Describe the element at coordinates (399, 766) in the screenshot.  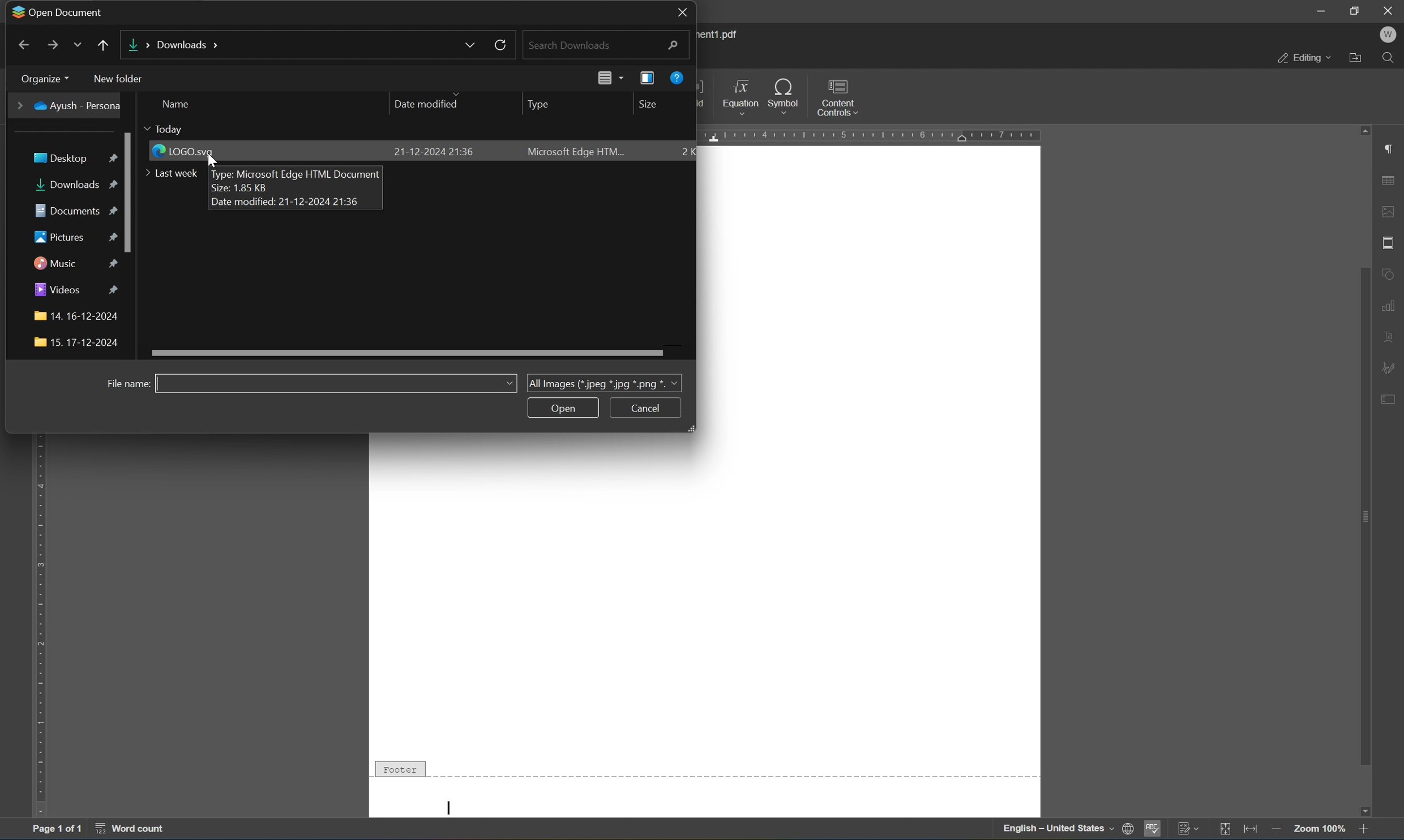
I see `Footer` at that location.